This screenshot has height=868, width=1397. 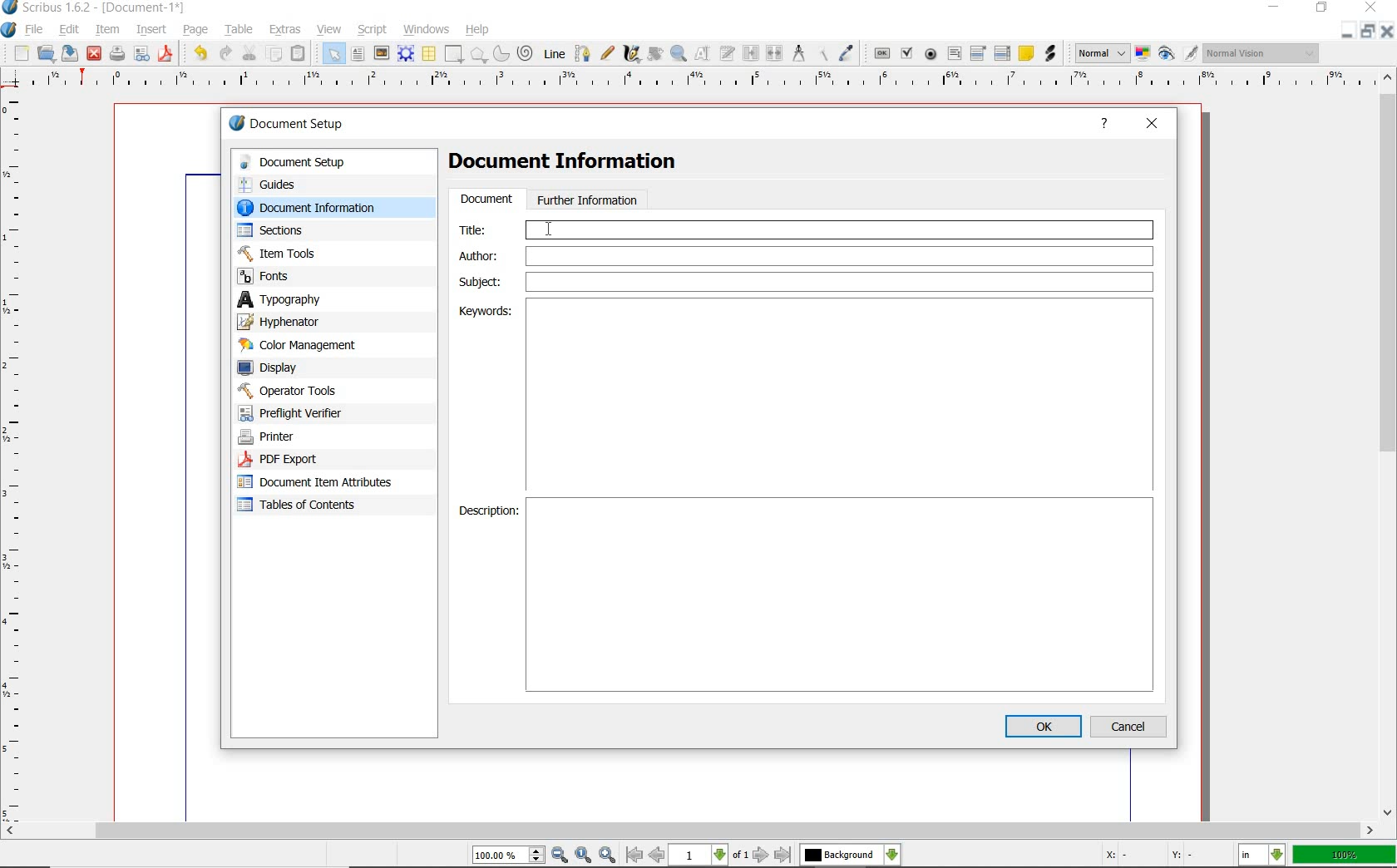 I want to click on toggle color management, so click(x=1143, y=53).